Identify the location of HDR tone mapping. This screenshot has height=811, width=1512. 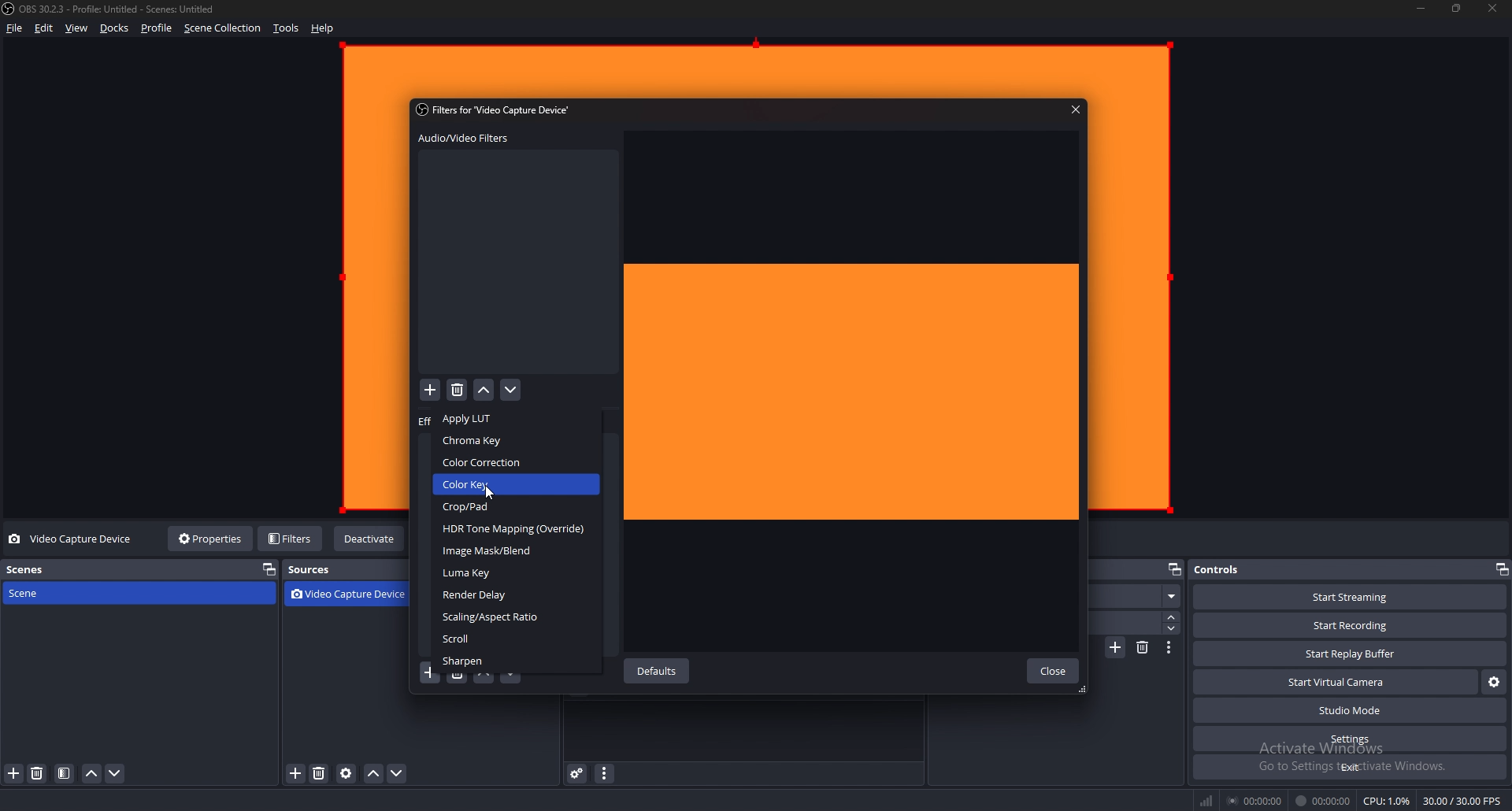
(516, 529).